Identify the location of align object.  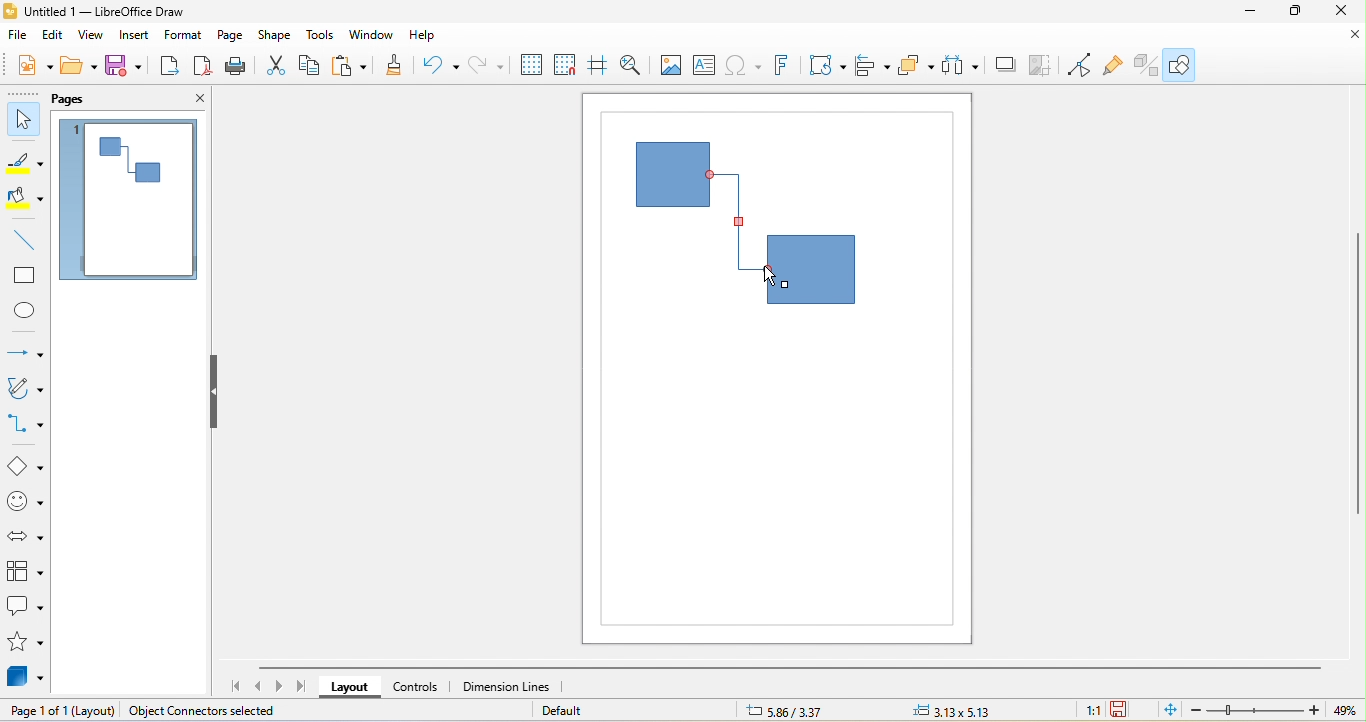
(872, 65).